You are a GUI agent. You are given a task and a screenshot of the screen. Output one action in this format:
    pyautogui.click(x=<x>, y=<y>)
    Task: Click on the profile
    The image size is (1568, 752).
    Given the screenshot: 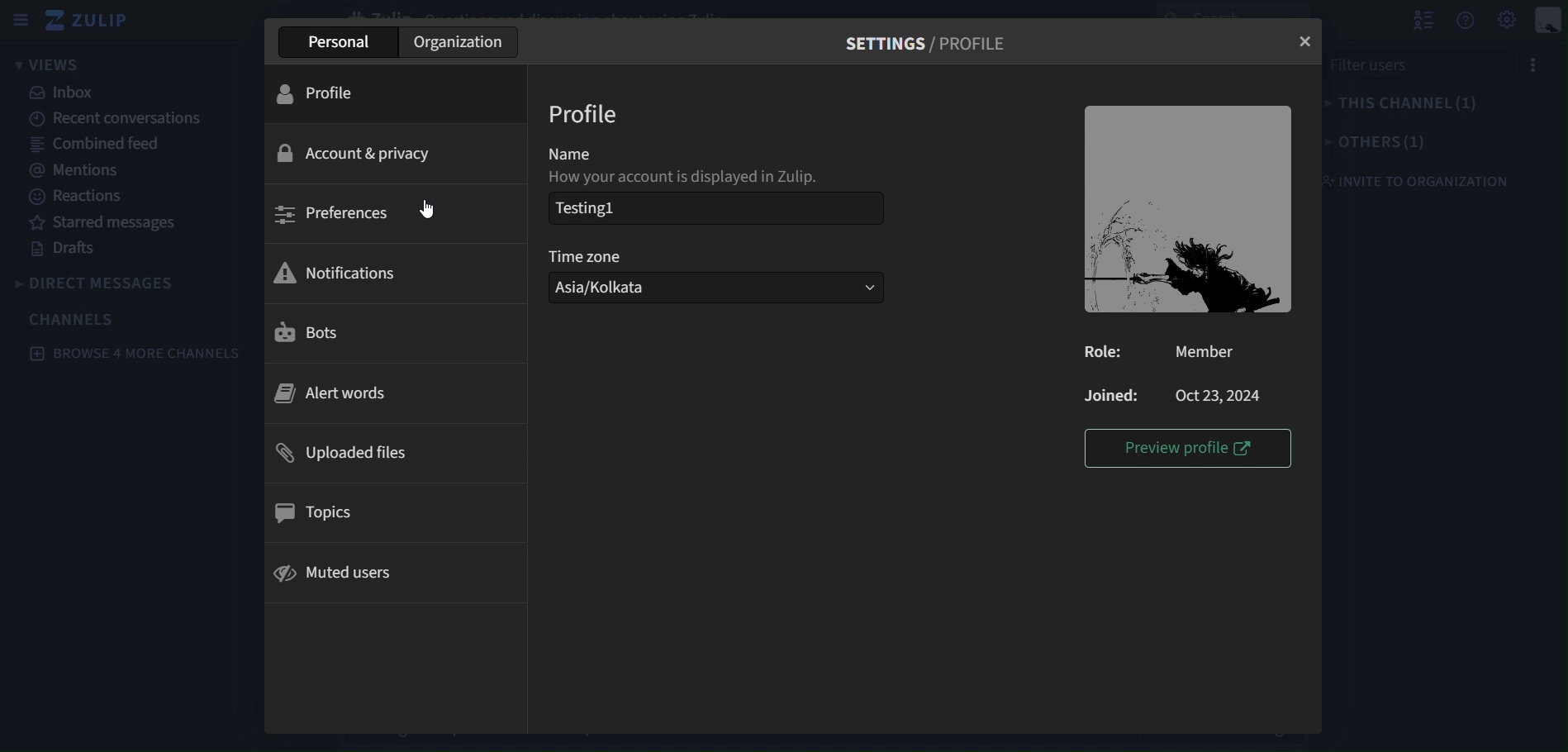 What is the action you would take?
    pyautogui.click(x=586, y=114)
    